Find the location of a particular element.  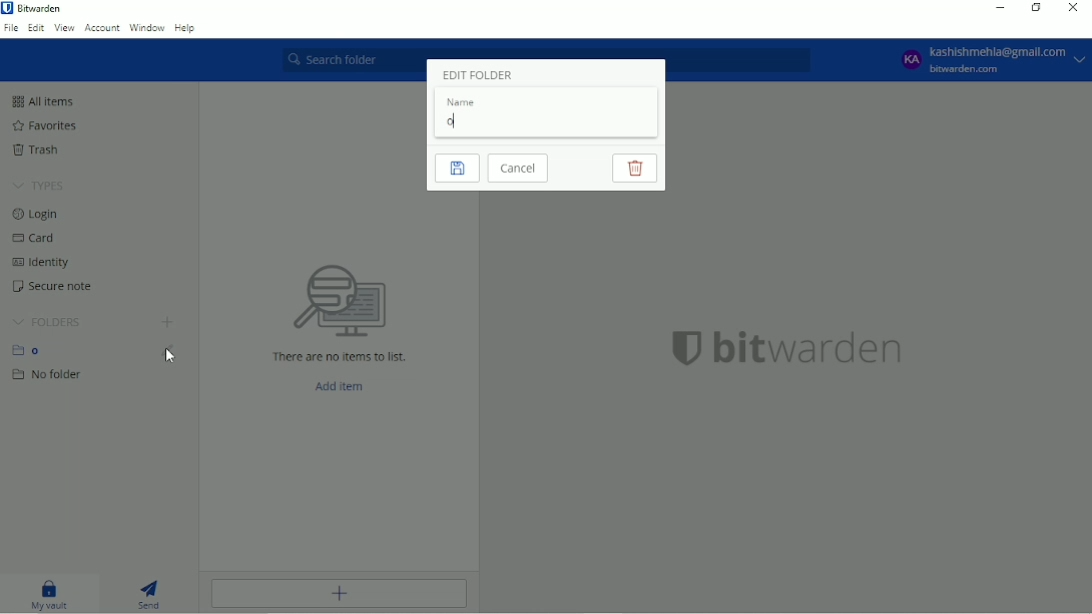

Save is located at coordinates (457, 168).